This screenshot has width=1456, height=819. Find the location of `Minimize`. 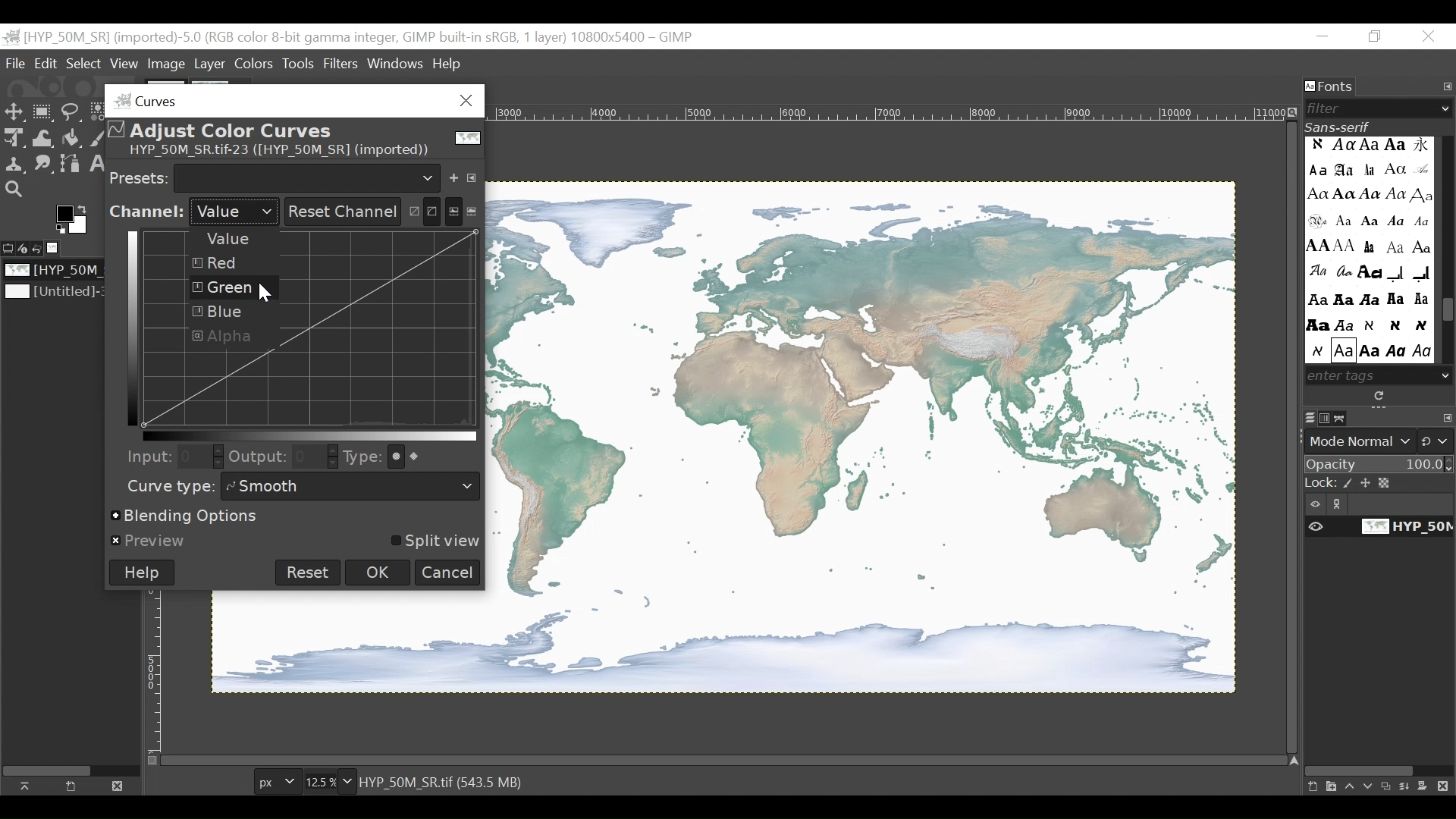

Minimize is located at coordinates (1323, 37).